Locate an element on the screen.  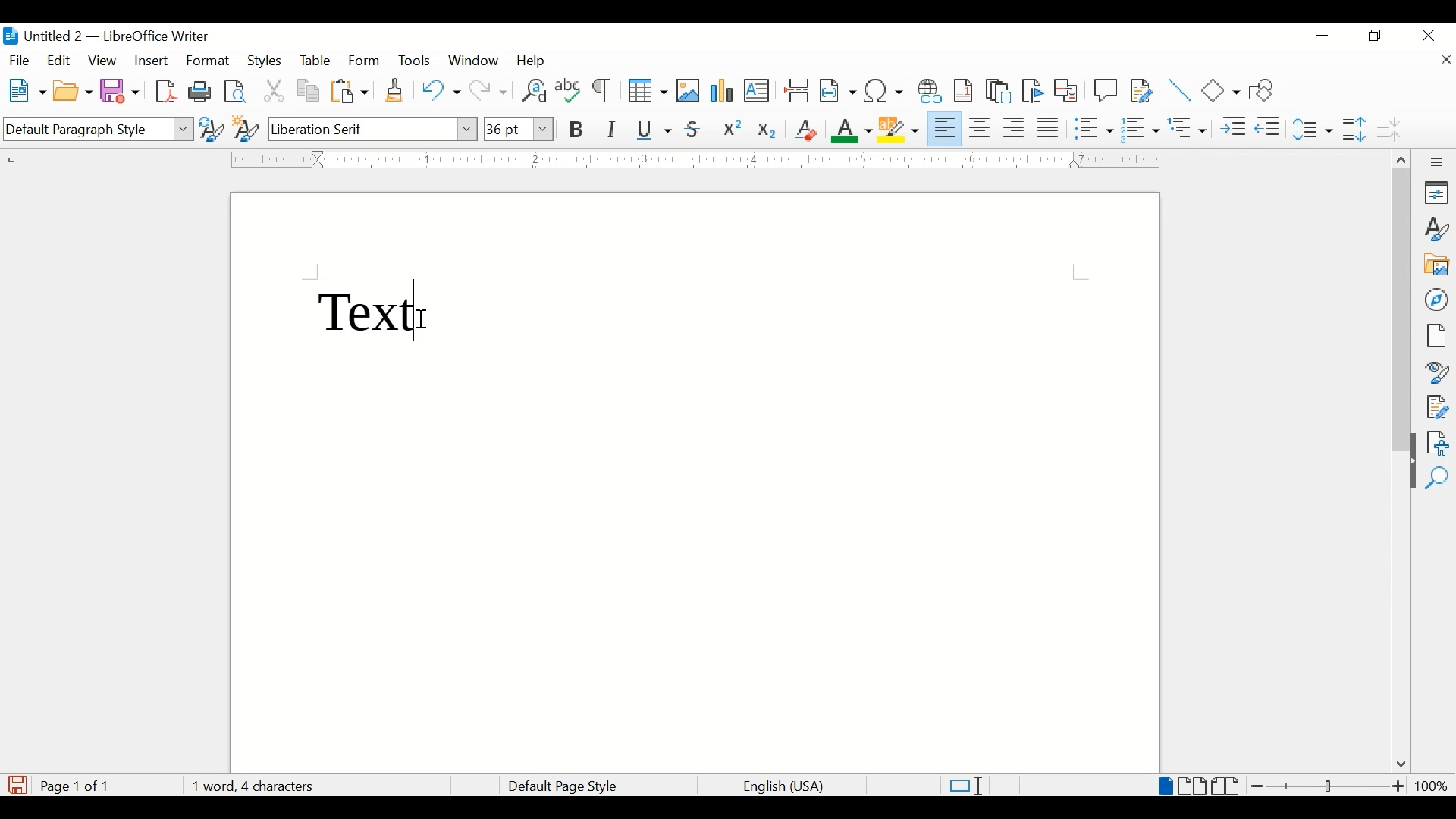
bold is located at coordinates (577, 130).